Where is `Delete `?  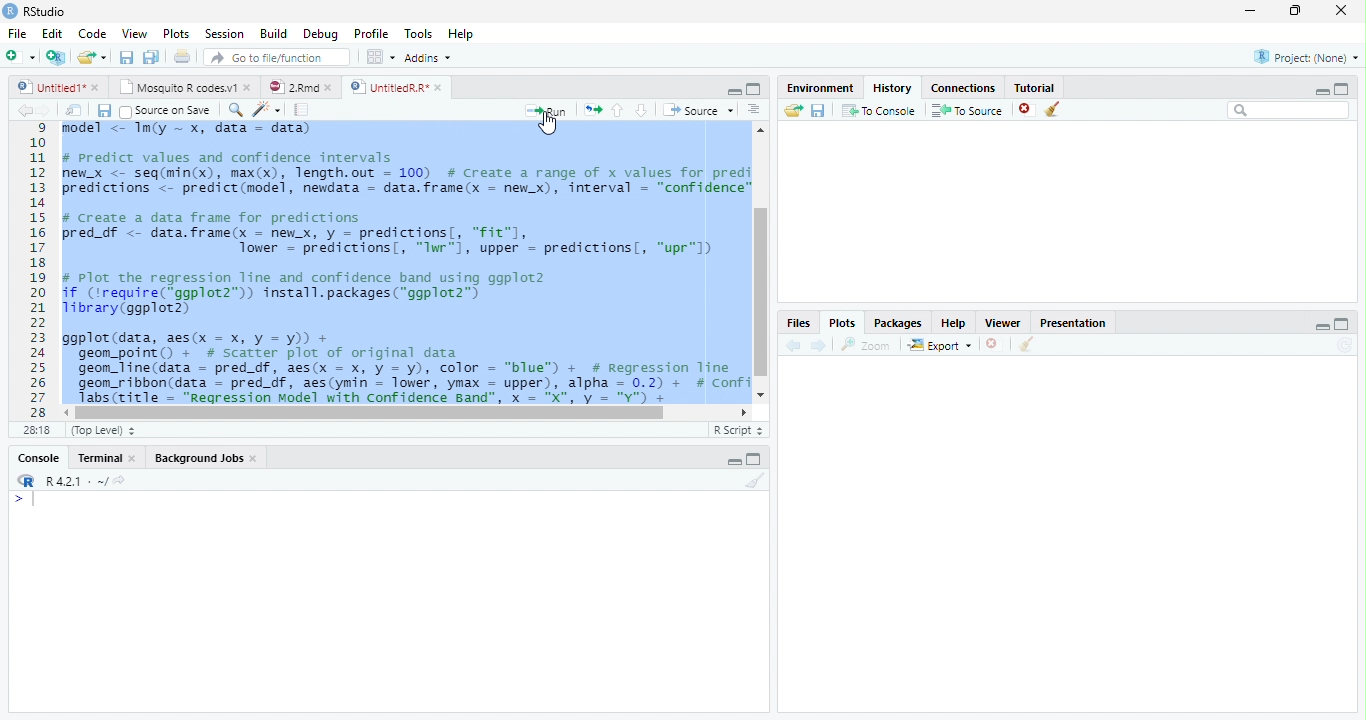 Delete  is located at coordinates (994, 345).